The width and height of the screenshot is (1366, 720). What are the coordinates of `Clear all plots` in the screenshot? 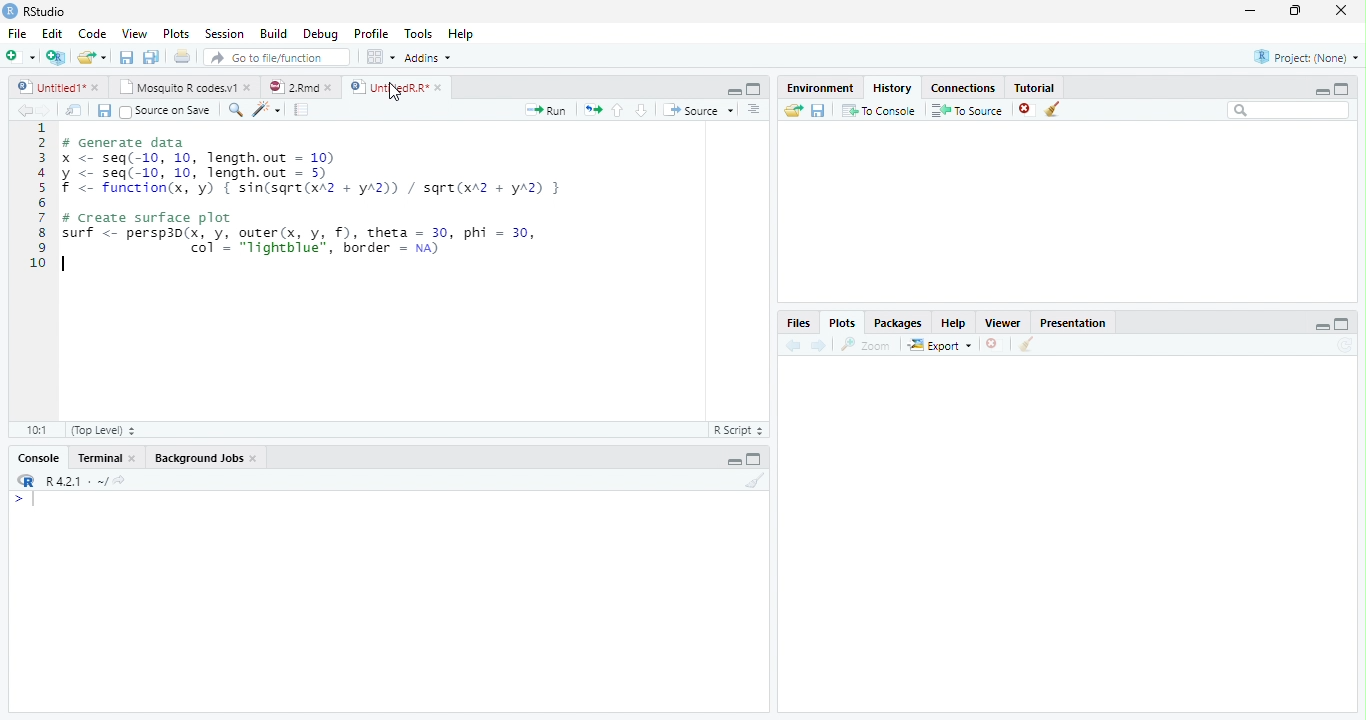 It's located at (1026, 344).